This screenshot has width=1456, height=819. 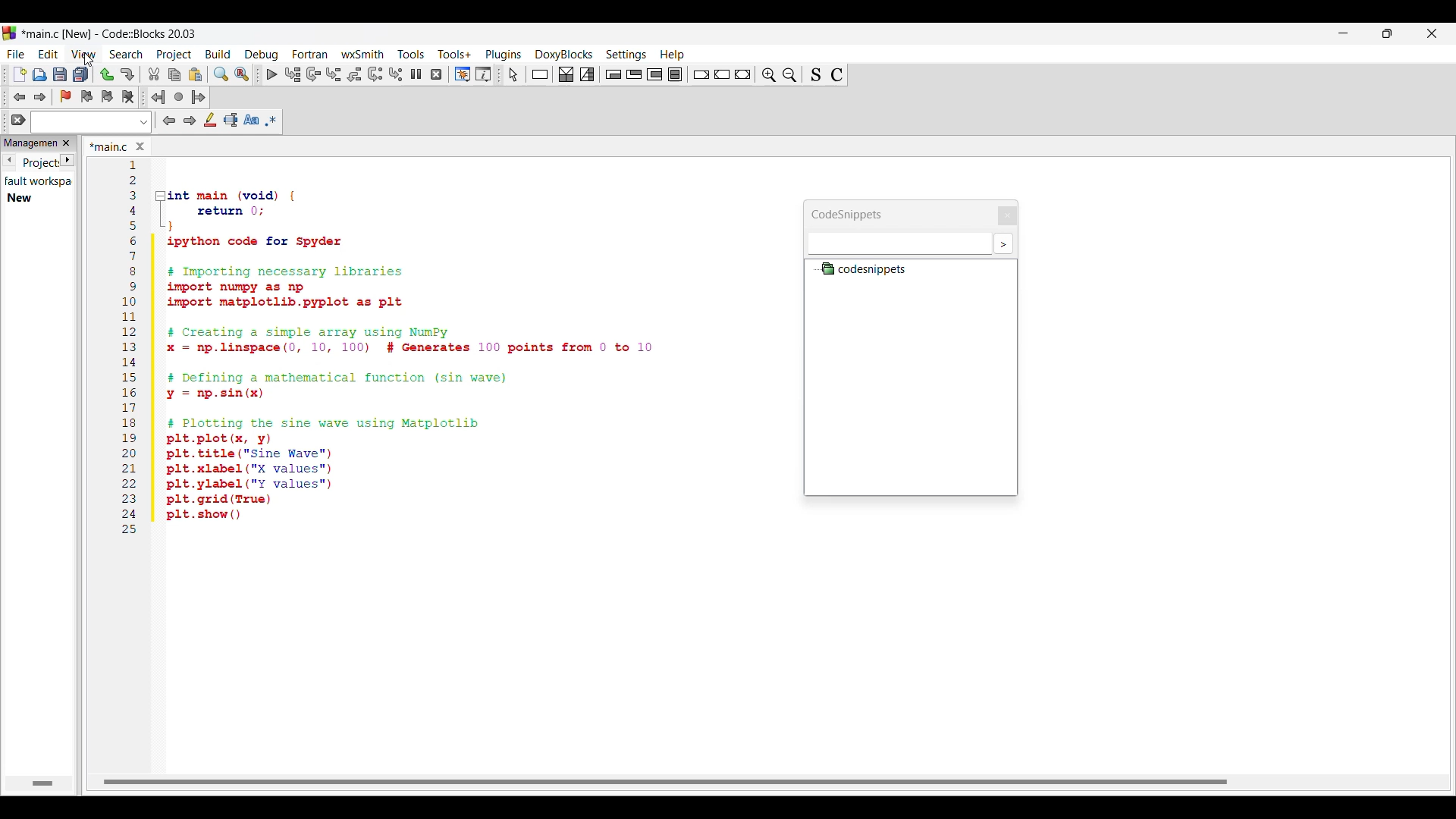 I want to click on cursor, so click(x=86, y=64).